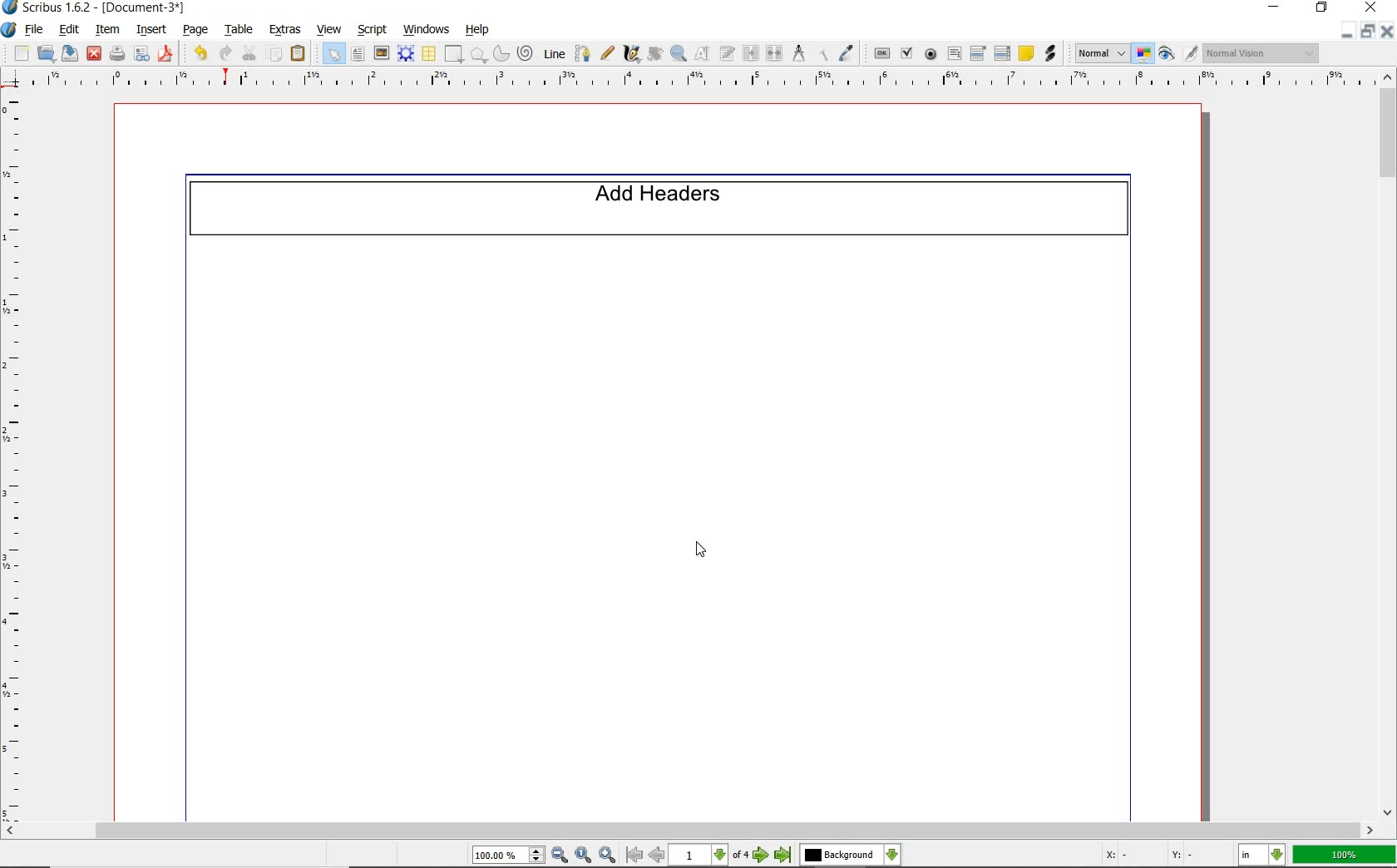 The width and height of the screenshot is (1397, 868). I want to click on zoom in or zoom out, so click(678, 53).